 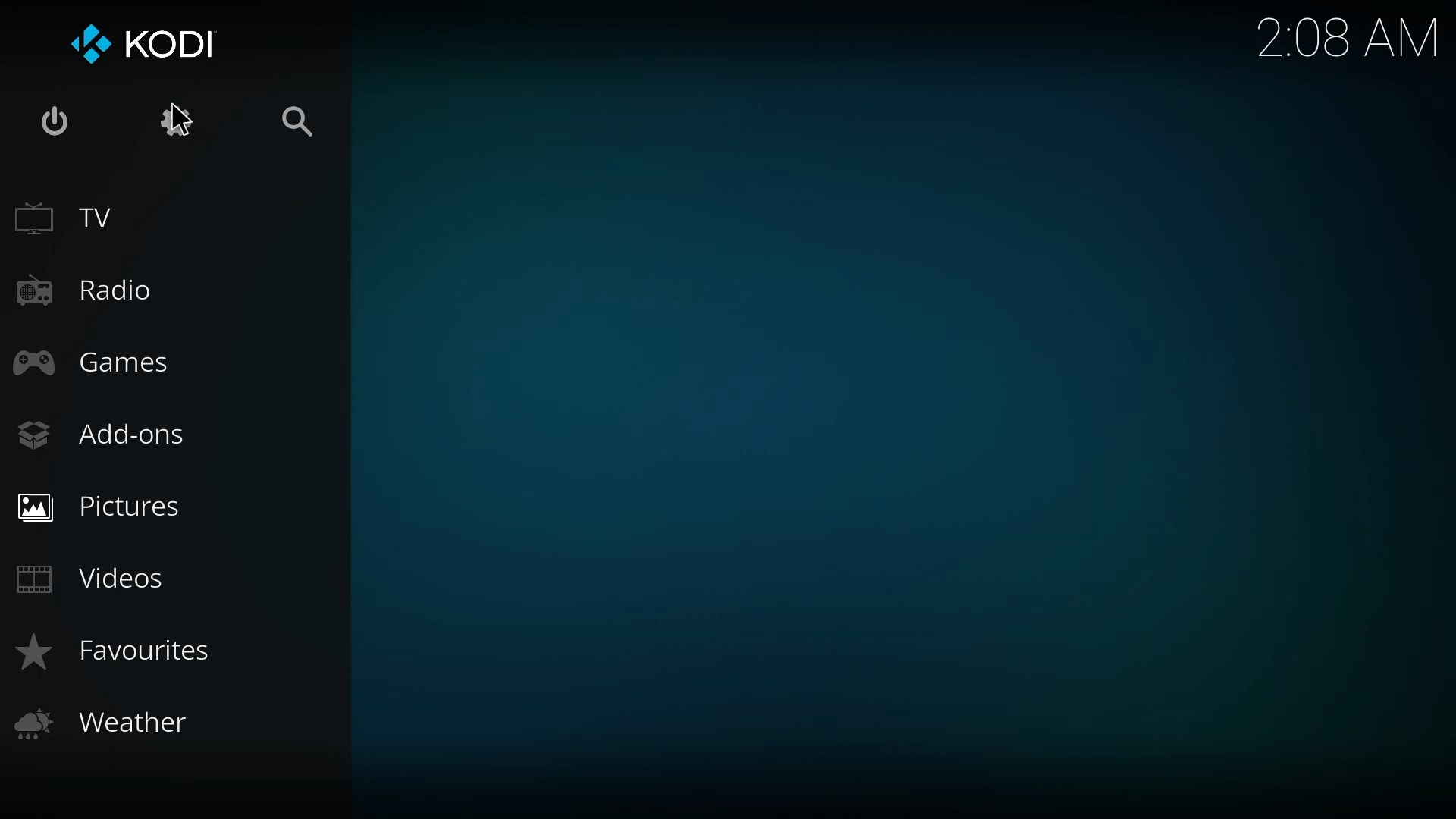 I want to click on kodi, so click(x=152, y=45).